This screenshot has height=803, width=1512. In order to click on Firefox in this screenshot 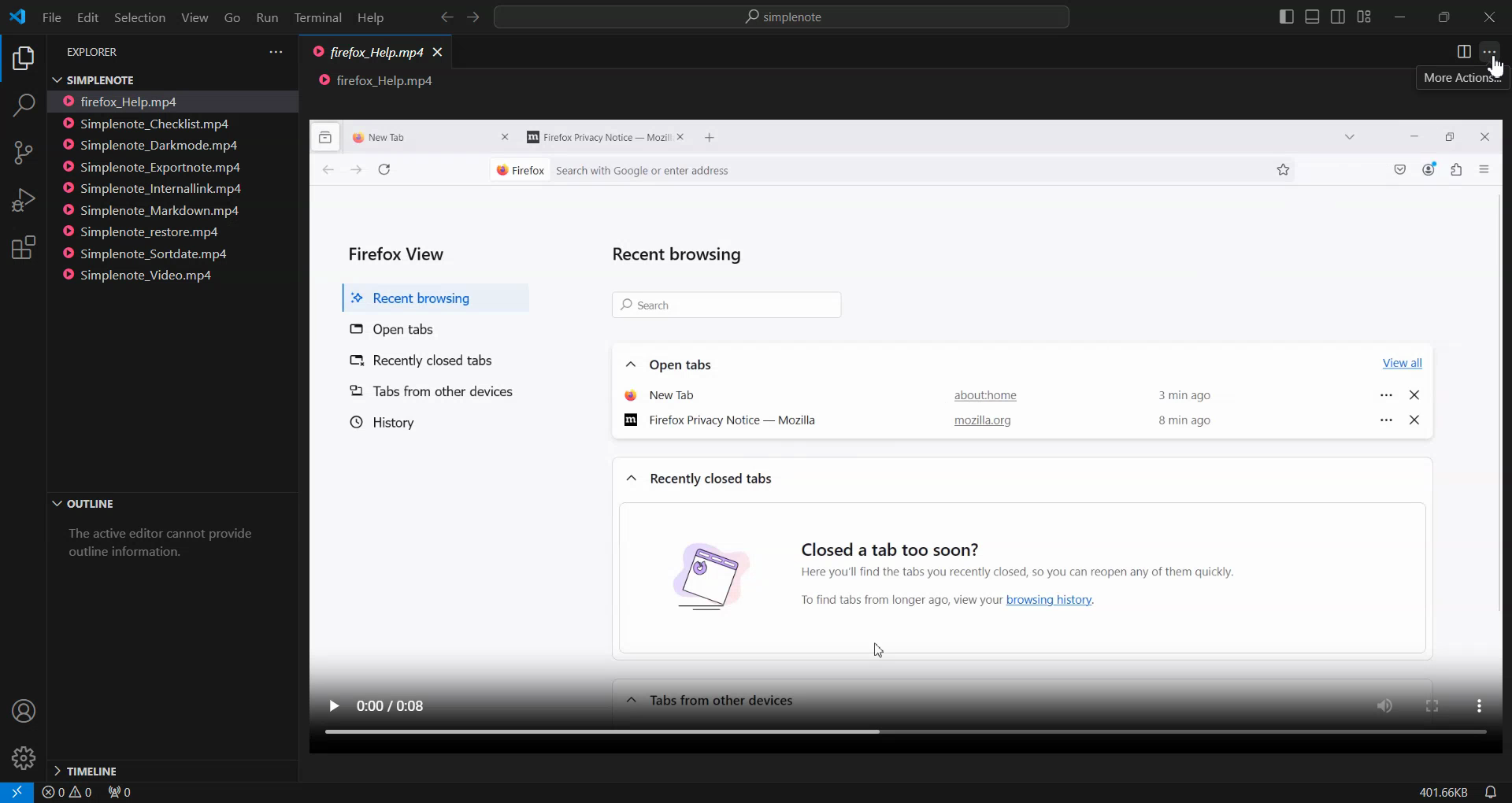, I will do `click(518, 168)`.